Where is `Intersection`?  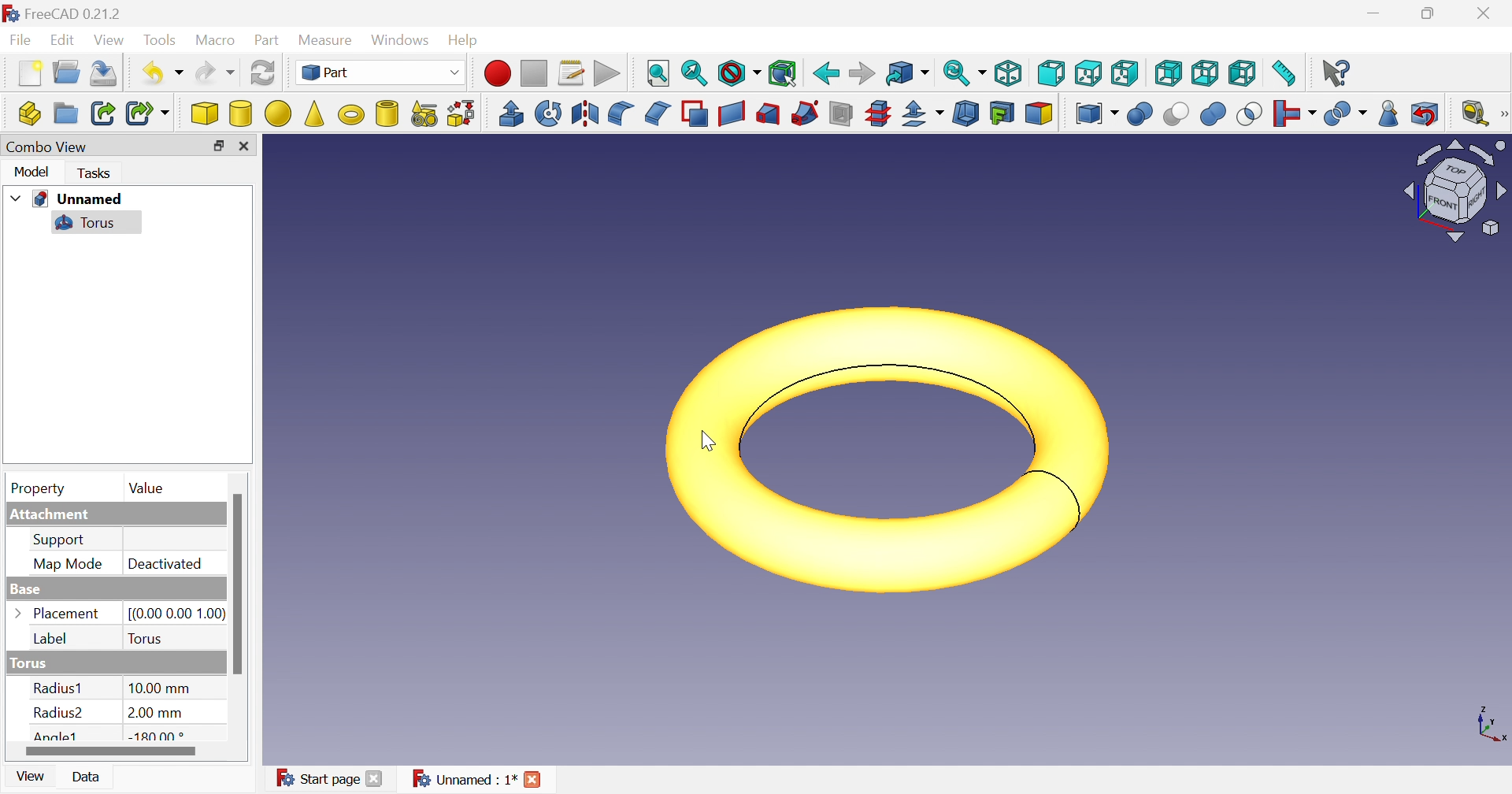 Intersection is located at coordinates (1249, 114).